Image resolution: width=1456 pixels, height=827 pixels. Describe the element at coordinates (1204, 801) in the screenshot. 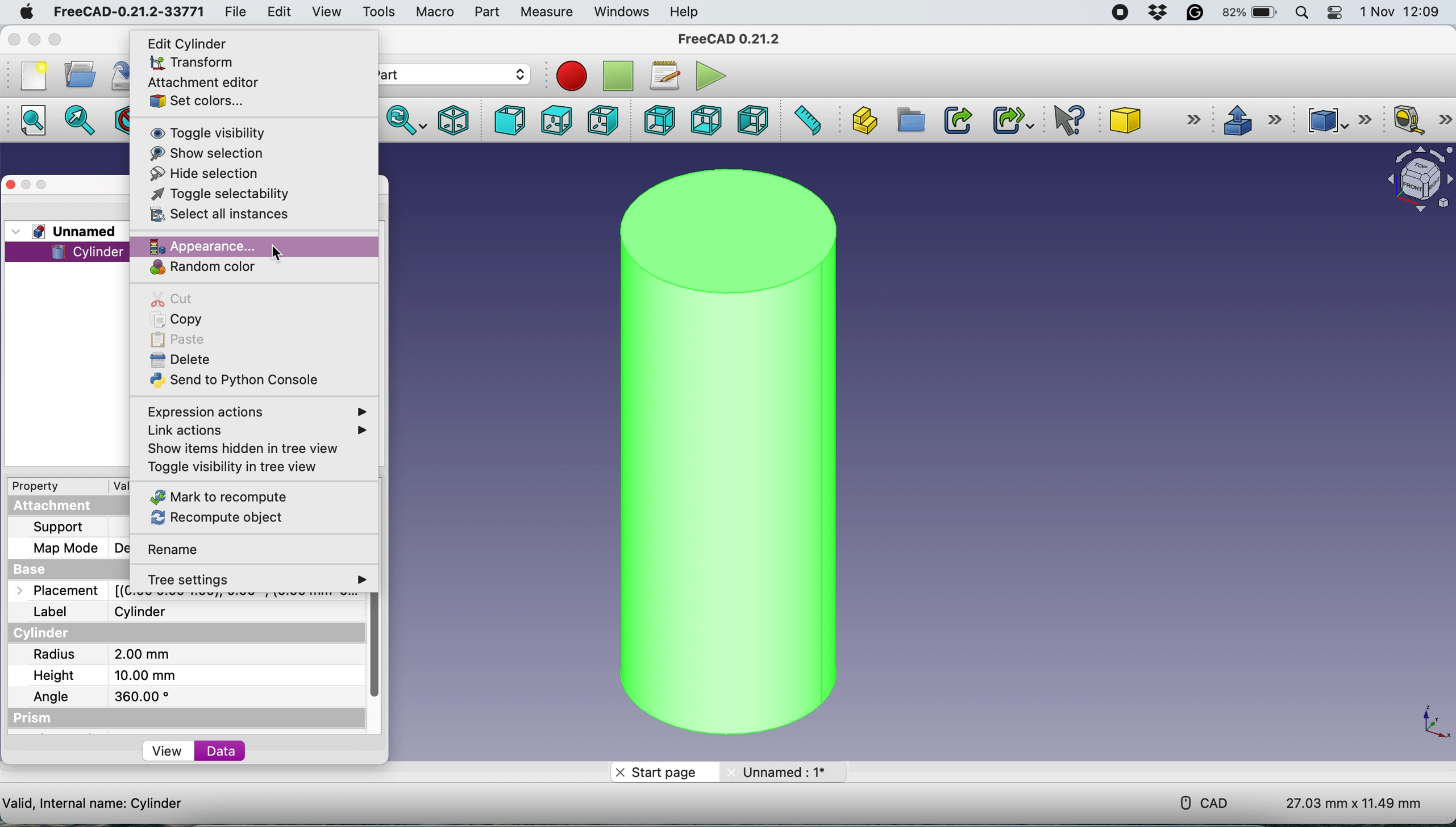

I see `cad` at that location.